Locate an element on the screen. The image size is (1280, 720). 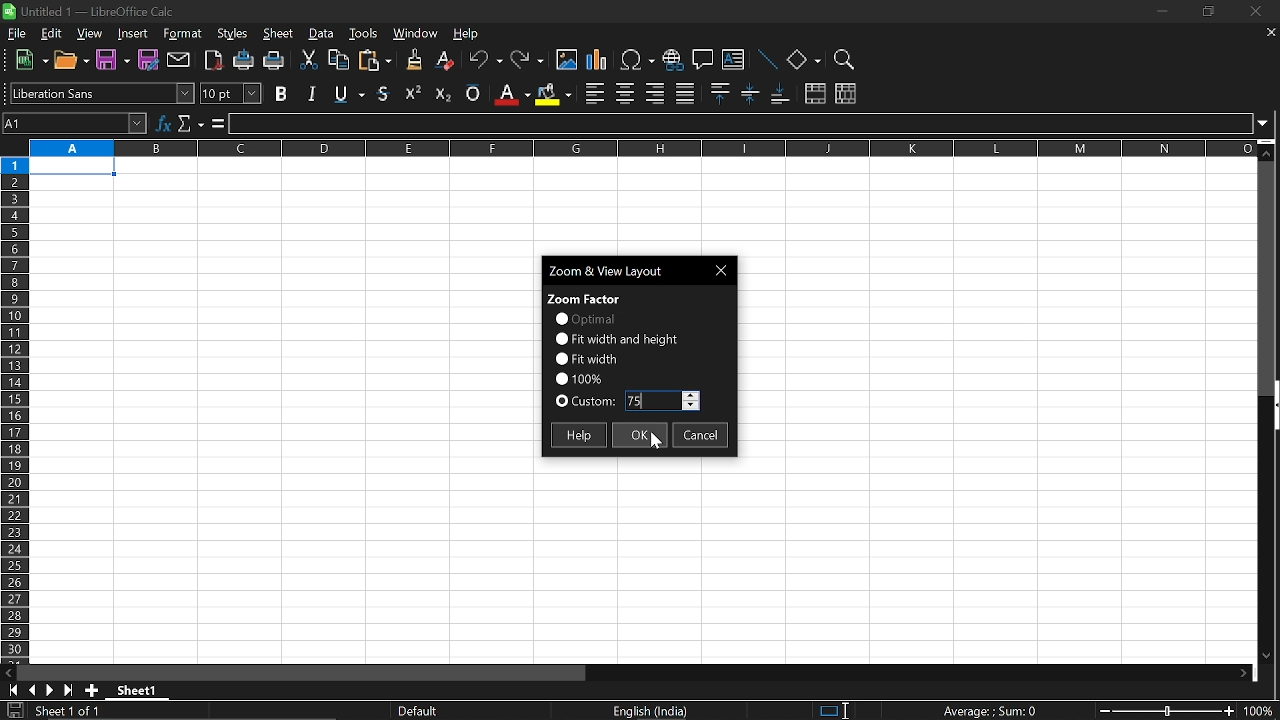
zoom factor is located at coordinates (585, 297).